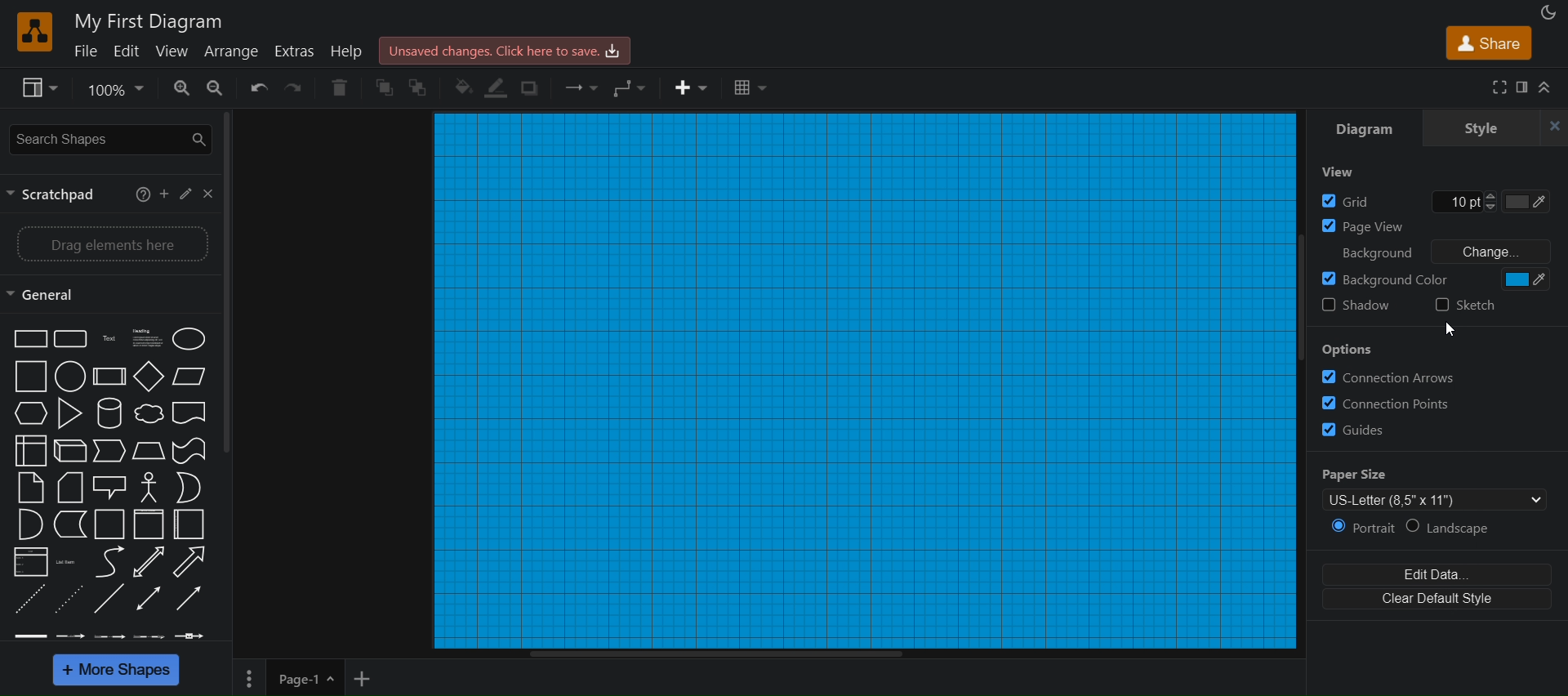 This screenshot has width=1568, height=696. What do you see at coordinates (503, 49) in the screenshot?
I see `click here to save` at bounding box center [503, 49].